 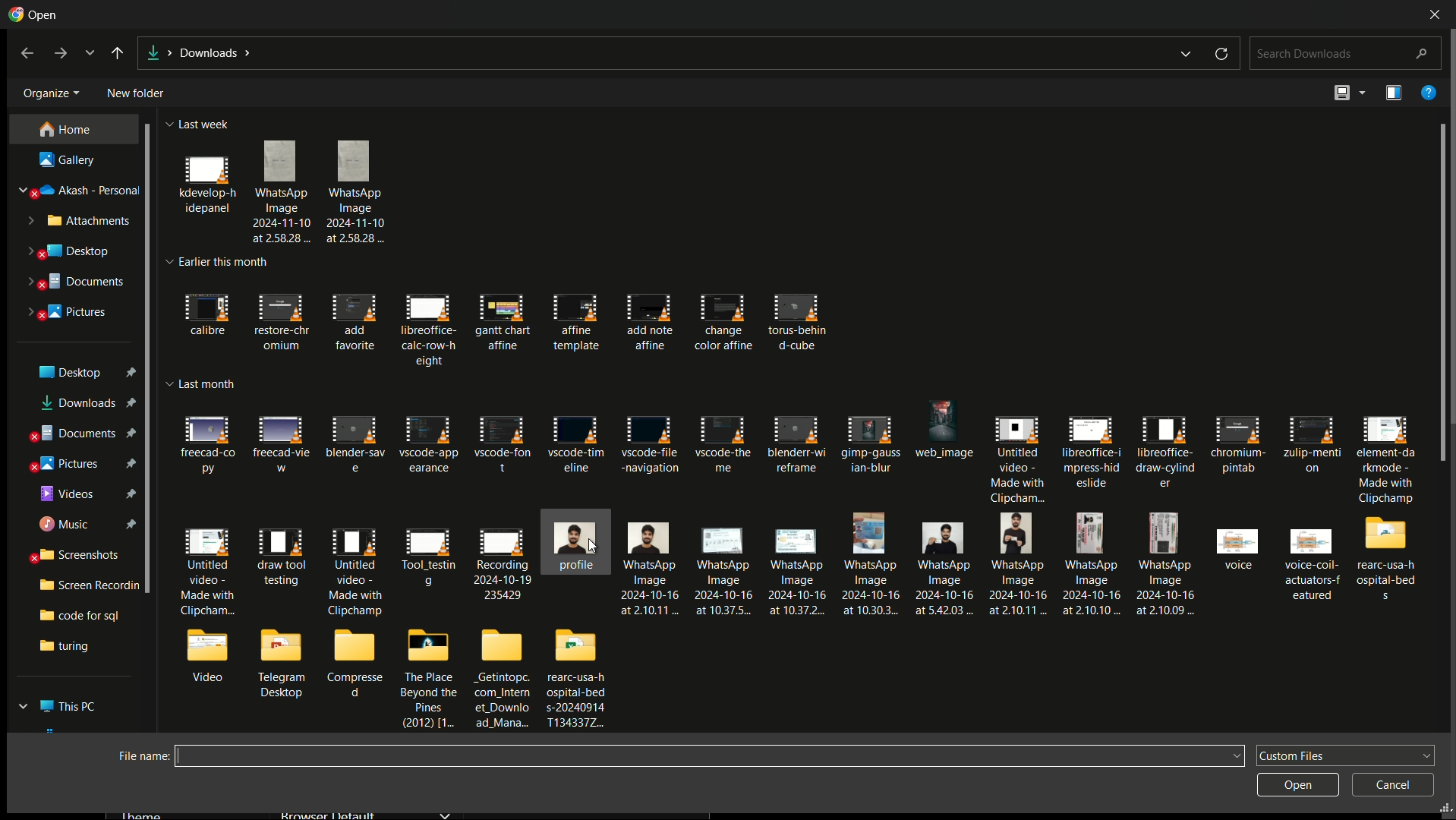 I want to click on this month files, so click(x=503, y=326).